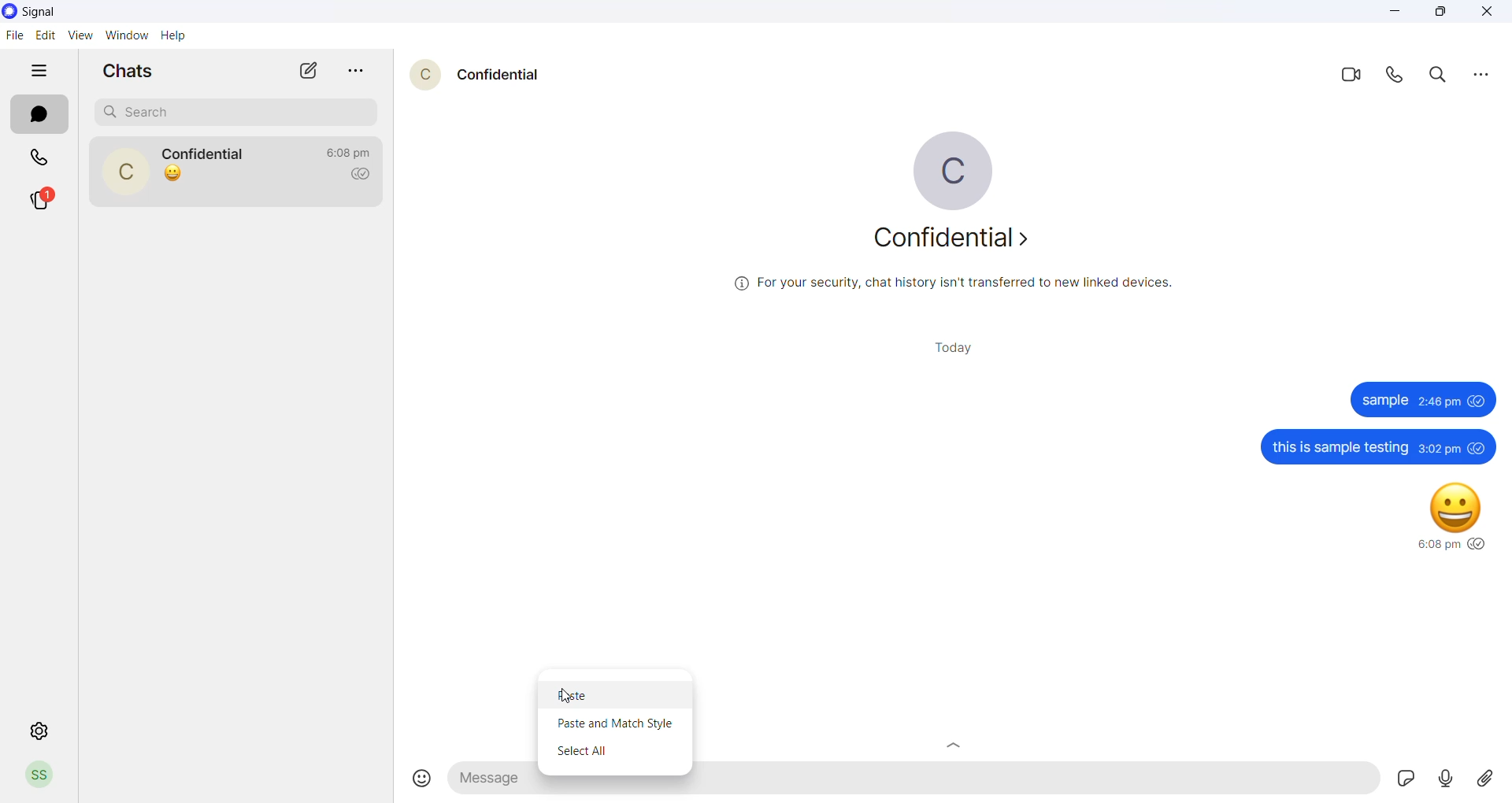  What do you see at coordinates (615, 723) in the screenshot?
I see `paste and match style` at bounding box center [615, 723].